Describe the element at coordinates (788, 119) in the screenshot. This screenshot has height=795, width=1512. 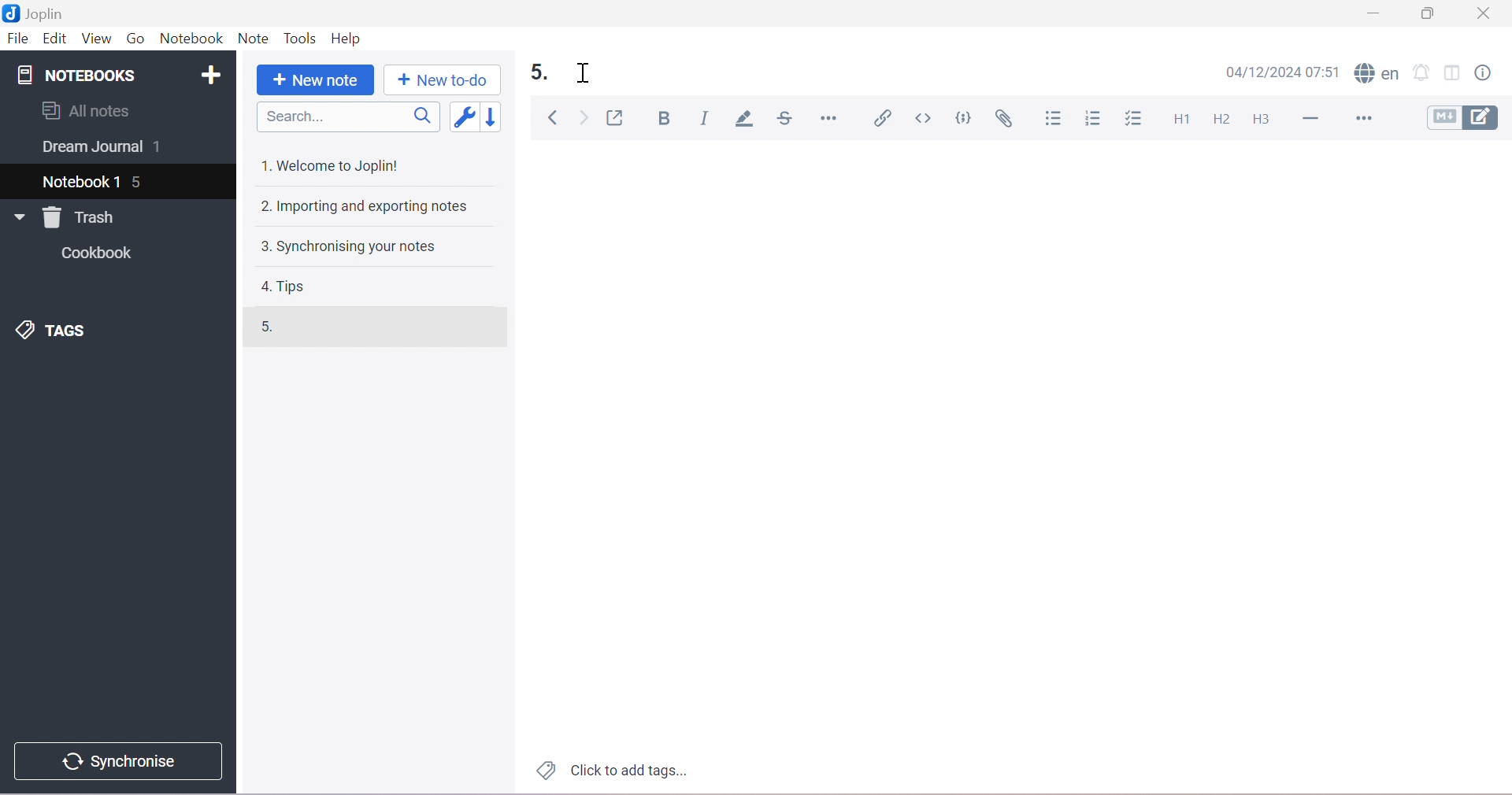
I see `Strikethrough` at that location.